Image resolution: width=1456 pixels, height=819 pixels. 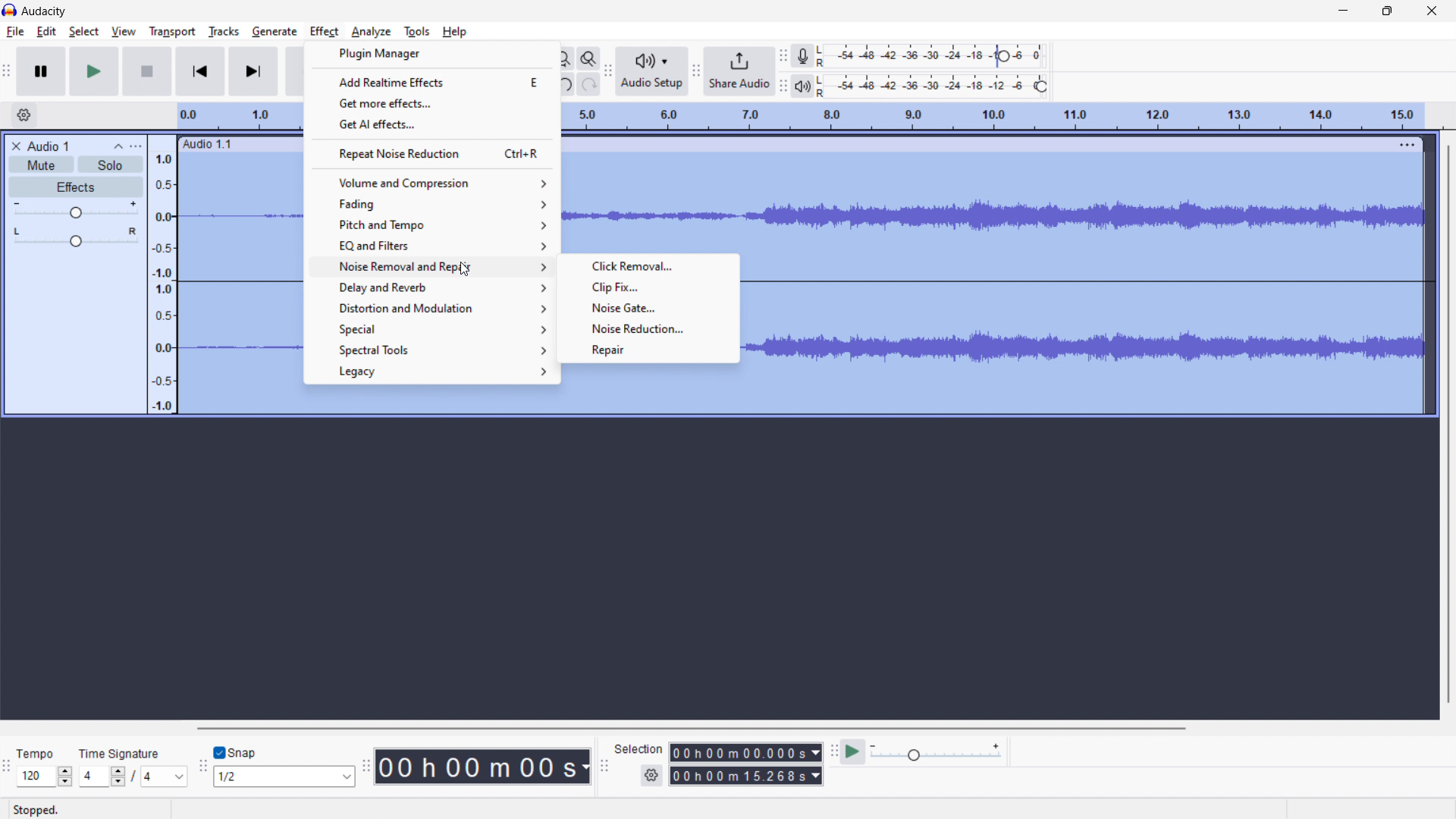 I want to click on Spectral Tools, so click(x=431, y=350).